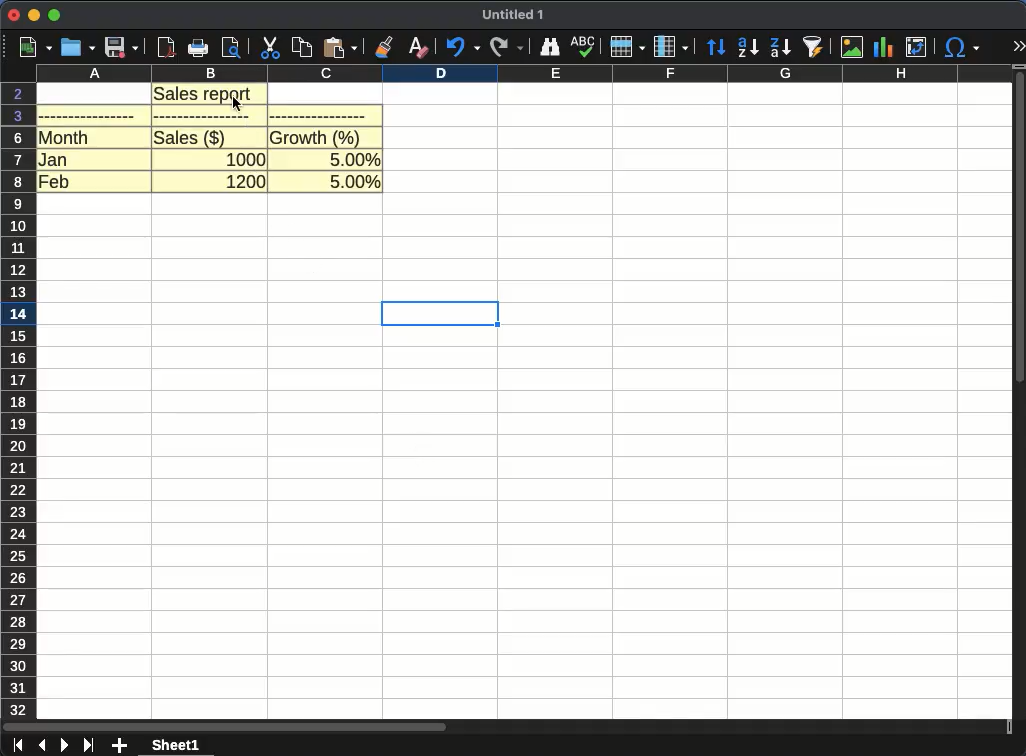 This screenshot has height=756, width=1026. I want to click on sheet 1, so click(176, 745).